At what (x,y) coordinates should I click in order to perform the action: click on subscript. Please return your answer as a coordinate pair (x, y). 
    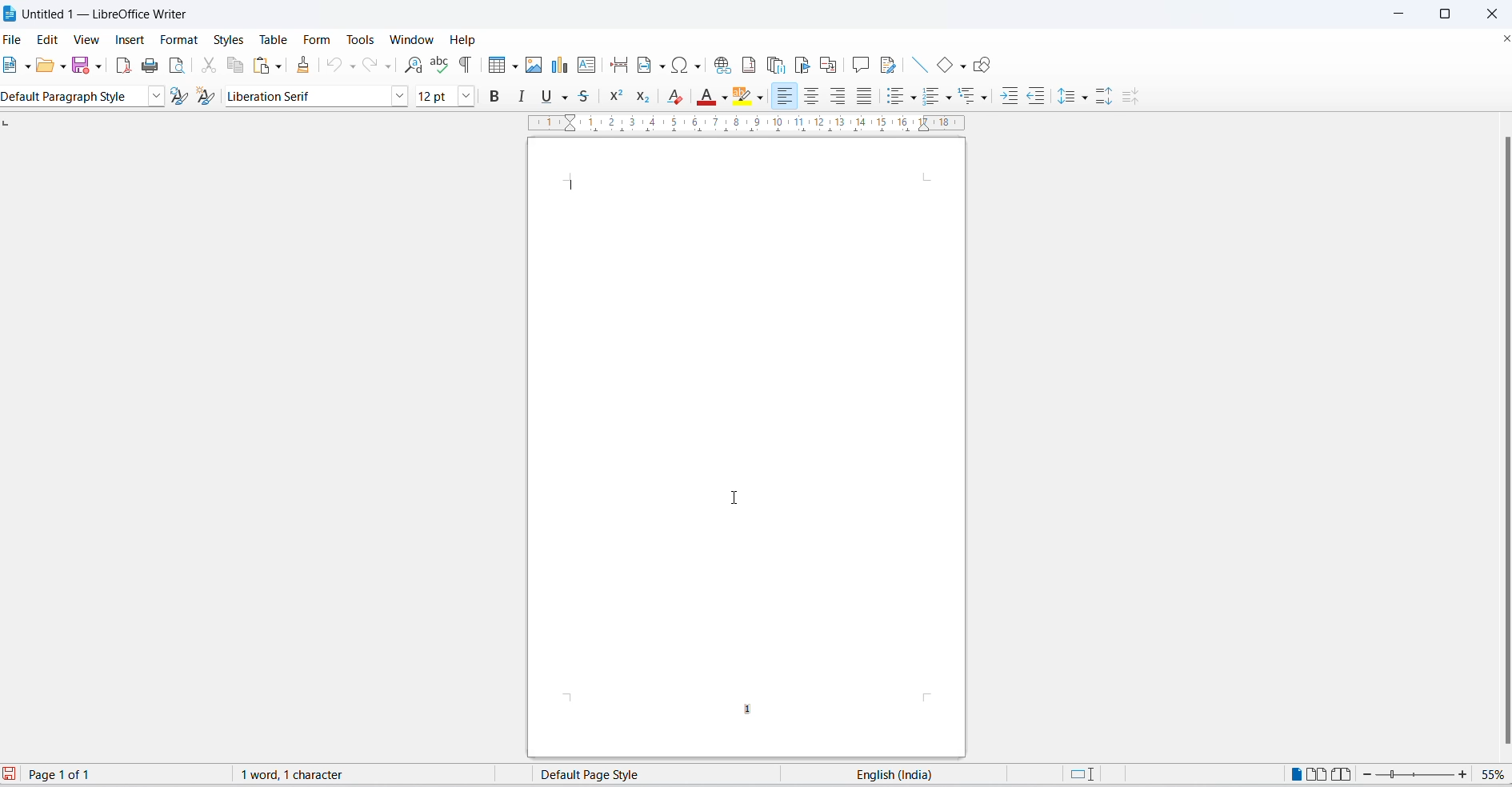
    Looking at the image, I should click on (646, 97).